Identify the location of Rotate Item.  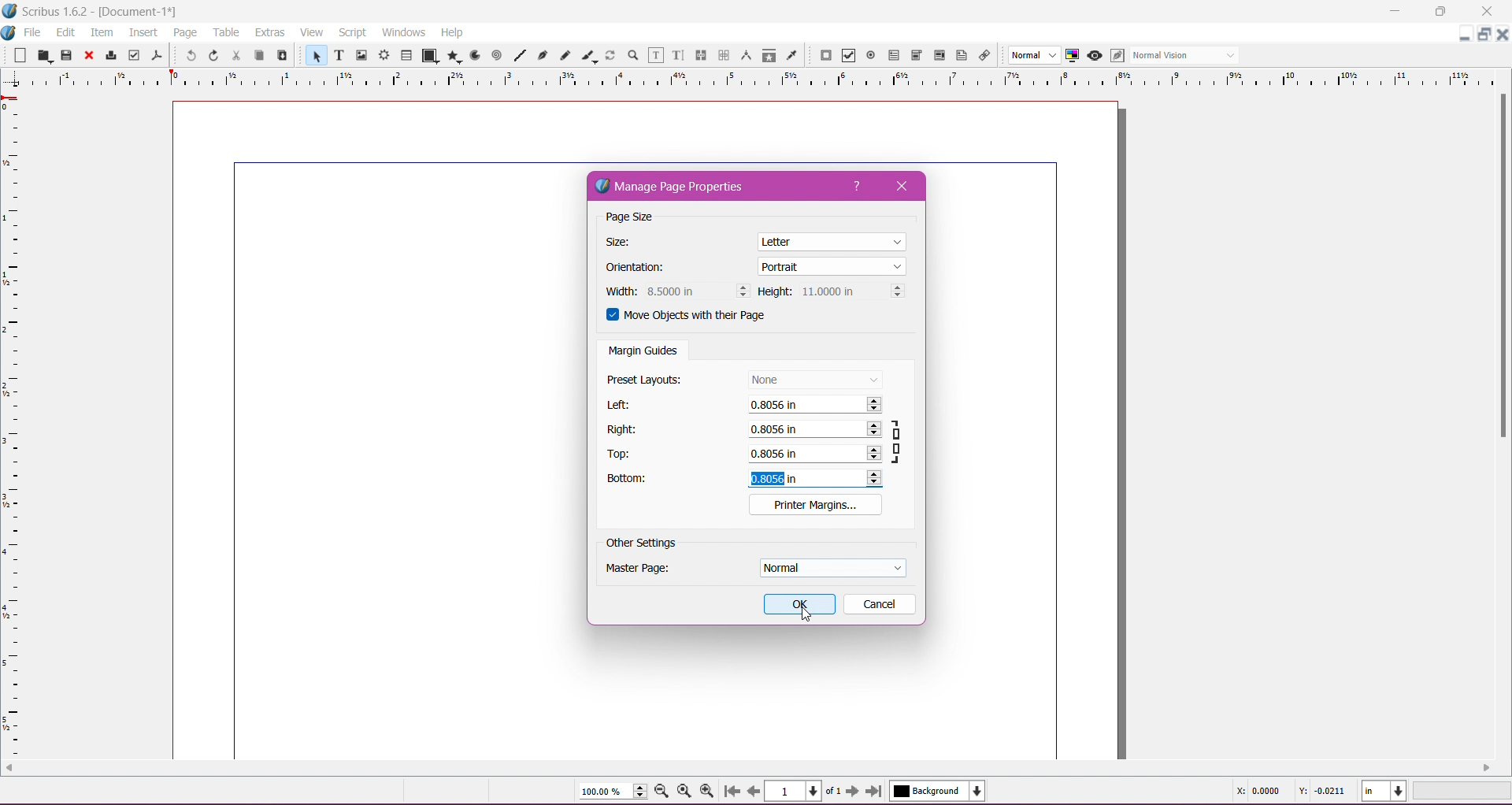
(610, 55).